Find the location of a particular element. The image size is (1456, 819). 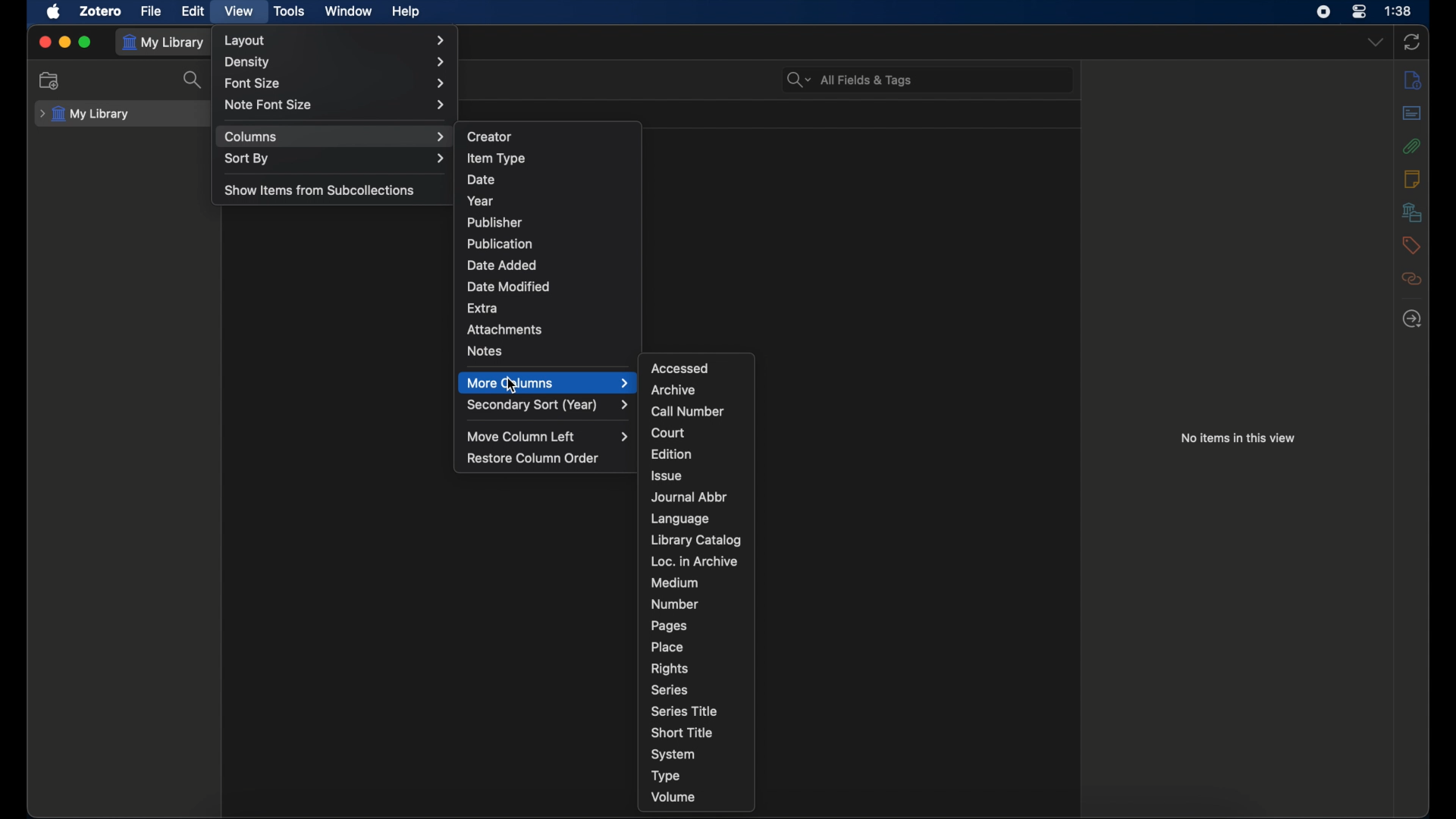

layout is located at coordinates (335, 40).